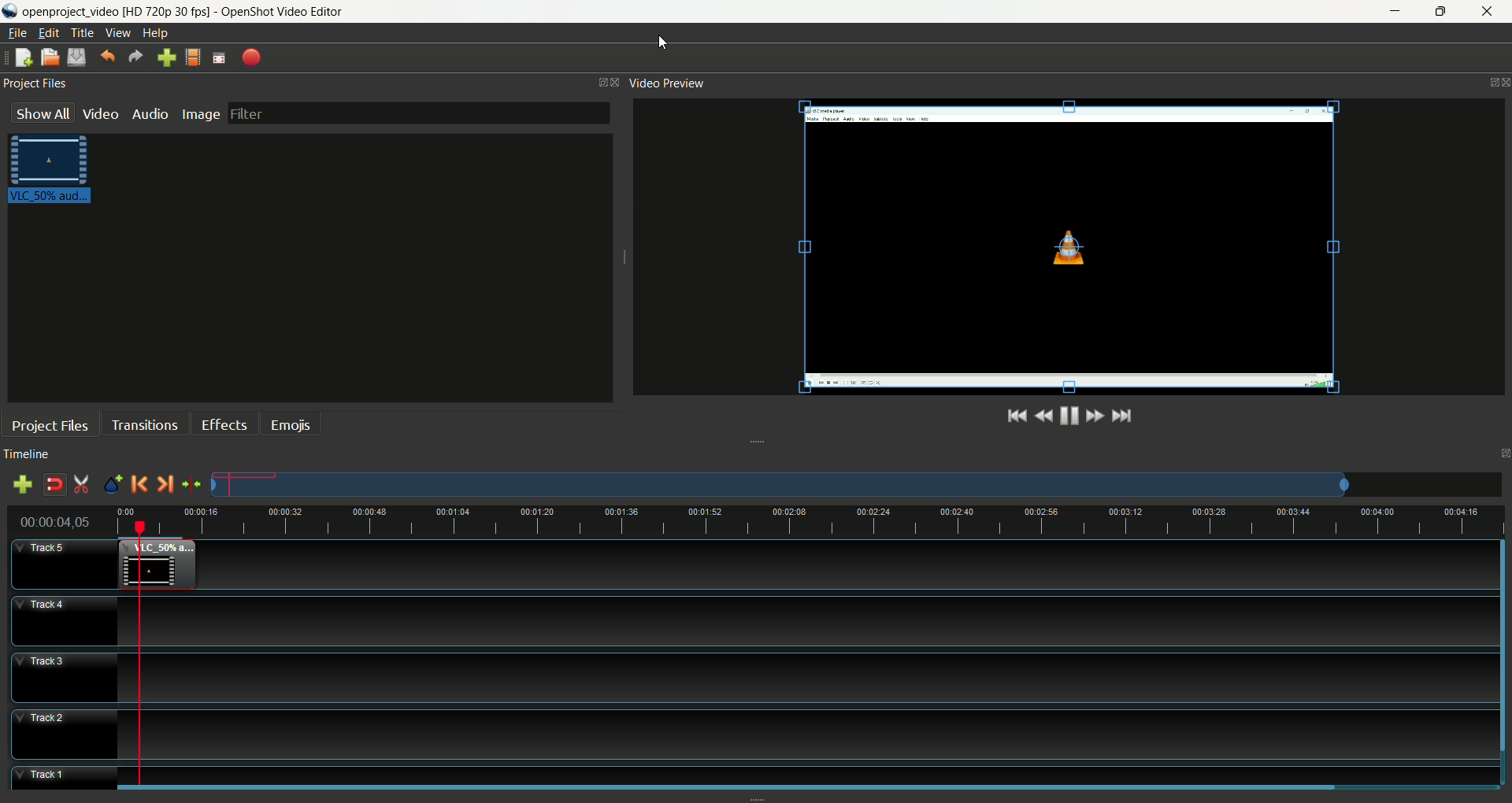 The height and width of the screenshot is (803, 1512). I want to click on video clip, so click(54, 172).